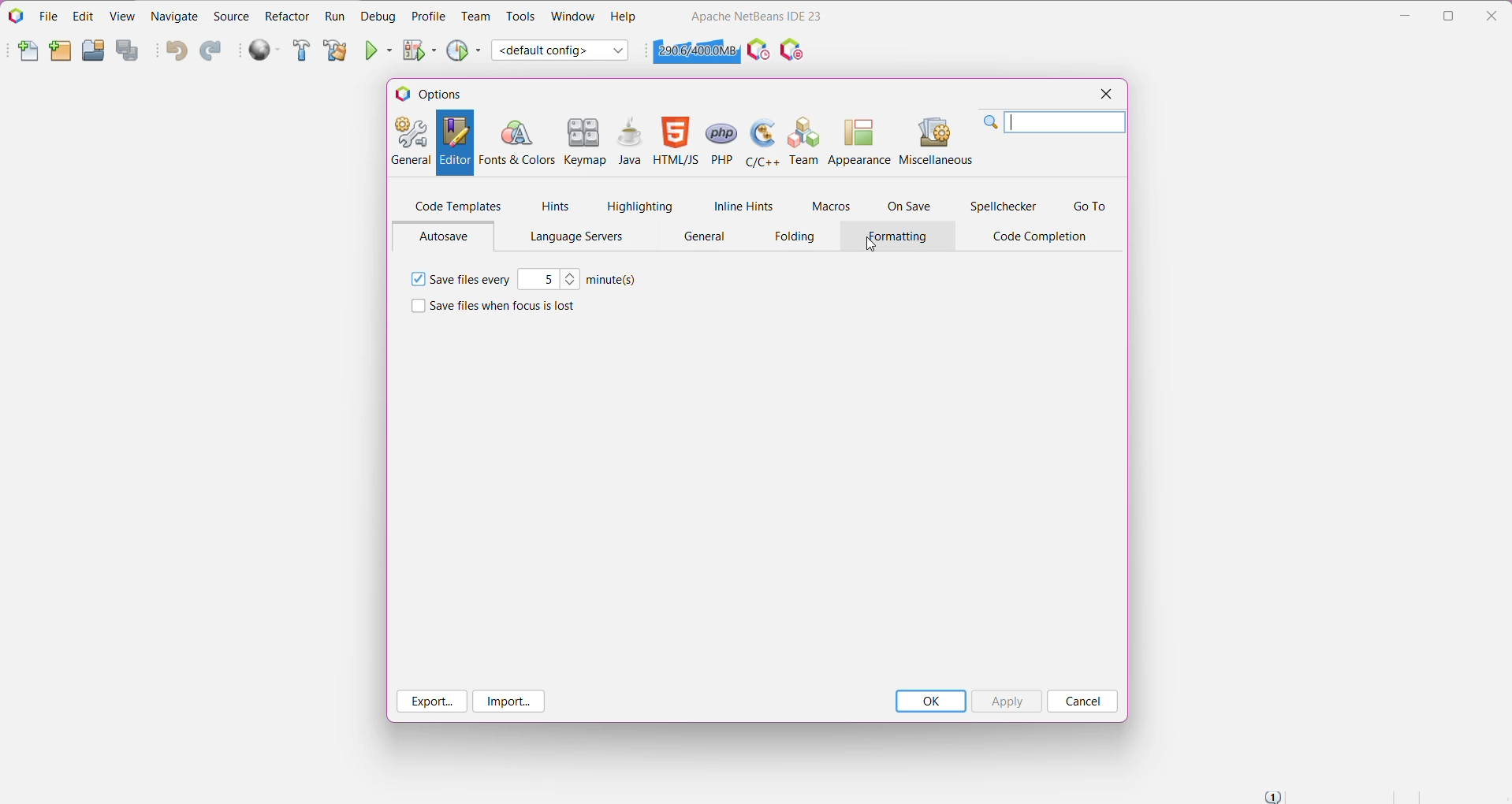 The height and width of the screenshot is (804, 1512). Describe the element at coordinates (911, 207) in the screenshot. I see `On Save` at that location.